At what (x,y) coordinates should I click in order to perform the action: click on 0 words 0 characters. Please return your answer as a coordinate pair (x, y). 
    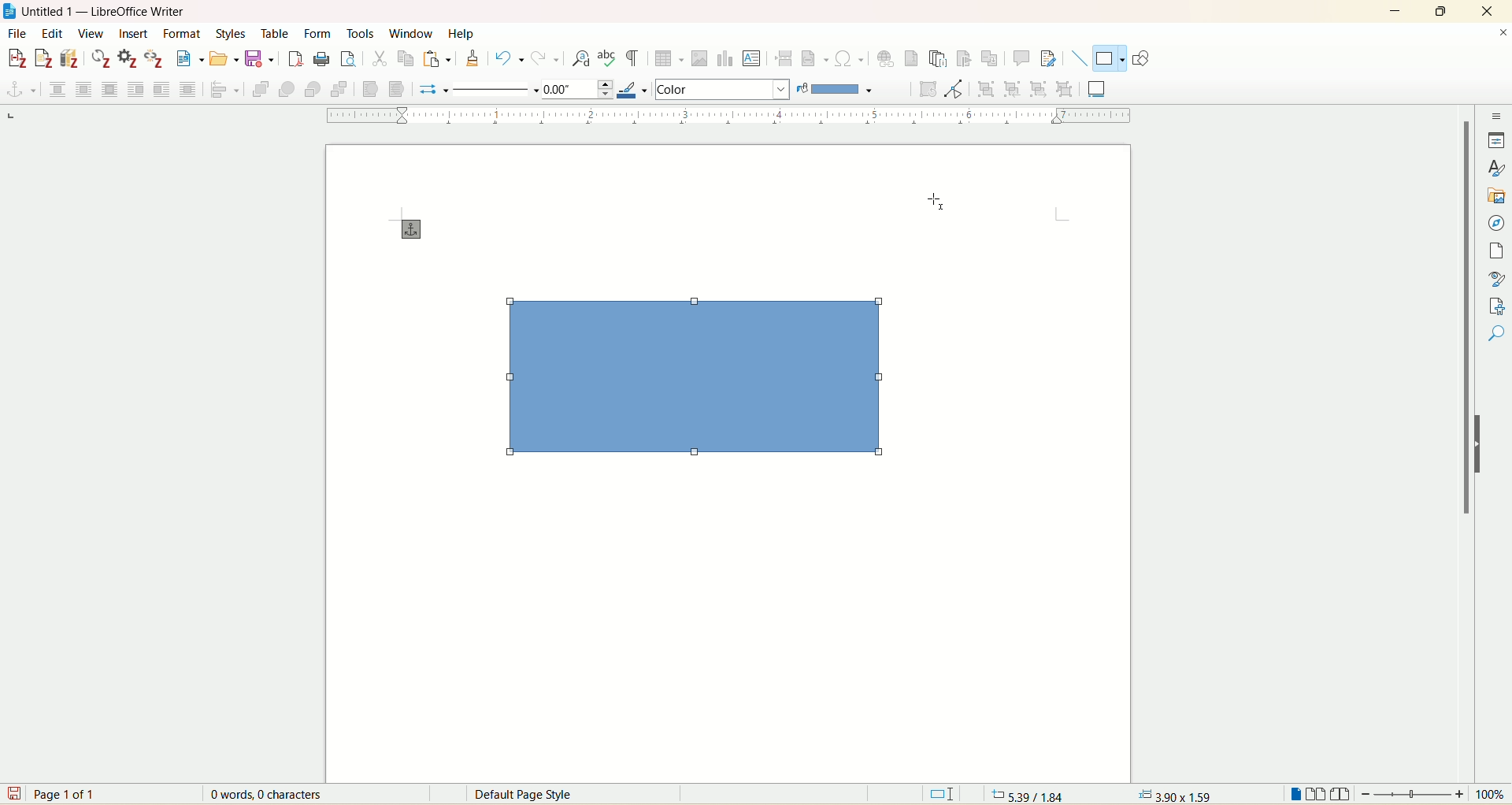
    Looking at the image, I should click on (276, 794).